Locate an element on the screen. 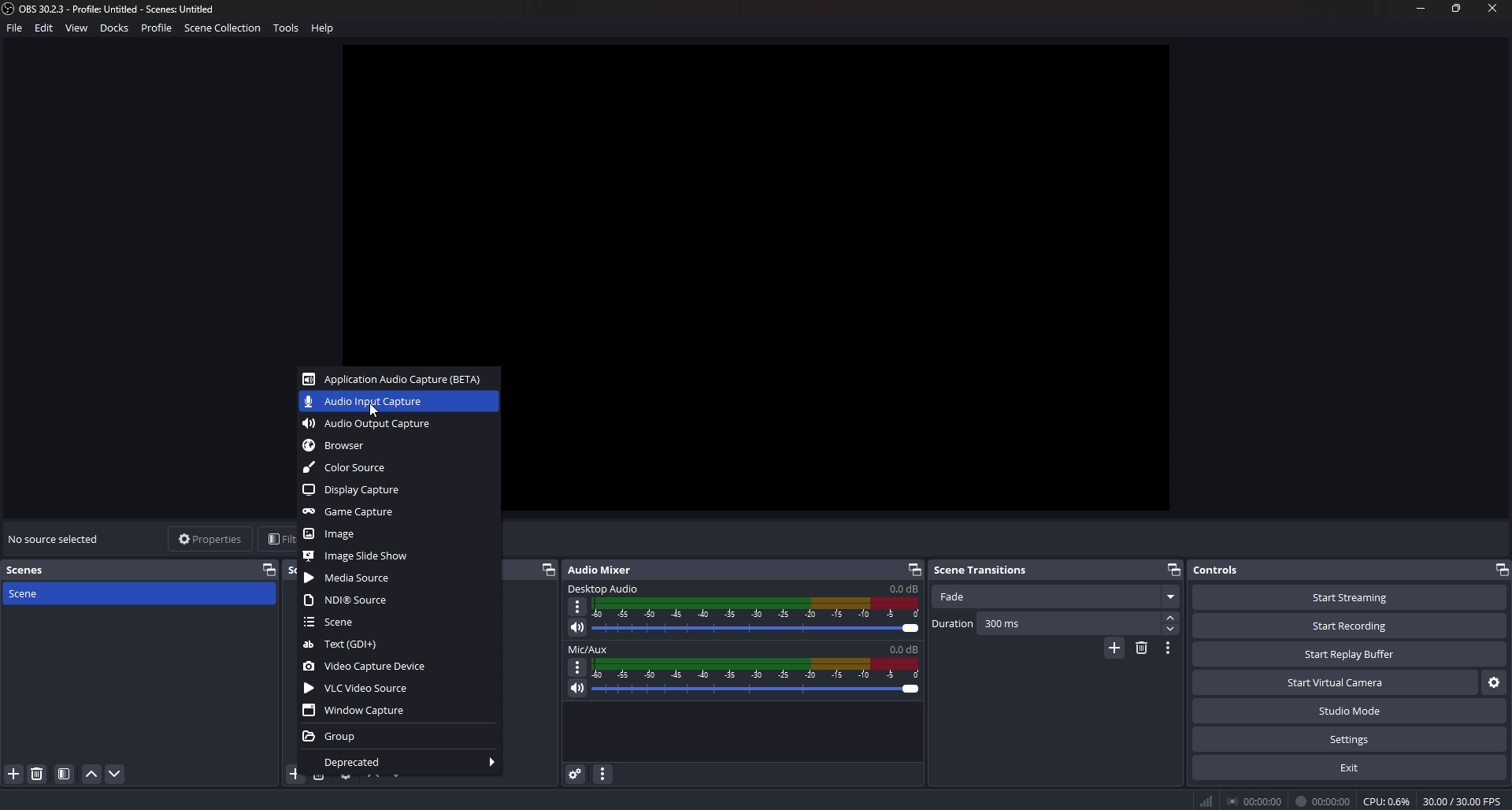 The height and width of the screenshot is (810, 1512). volume adjust is located at coordinates (756, 679).